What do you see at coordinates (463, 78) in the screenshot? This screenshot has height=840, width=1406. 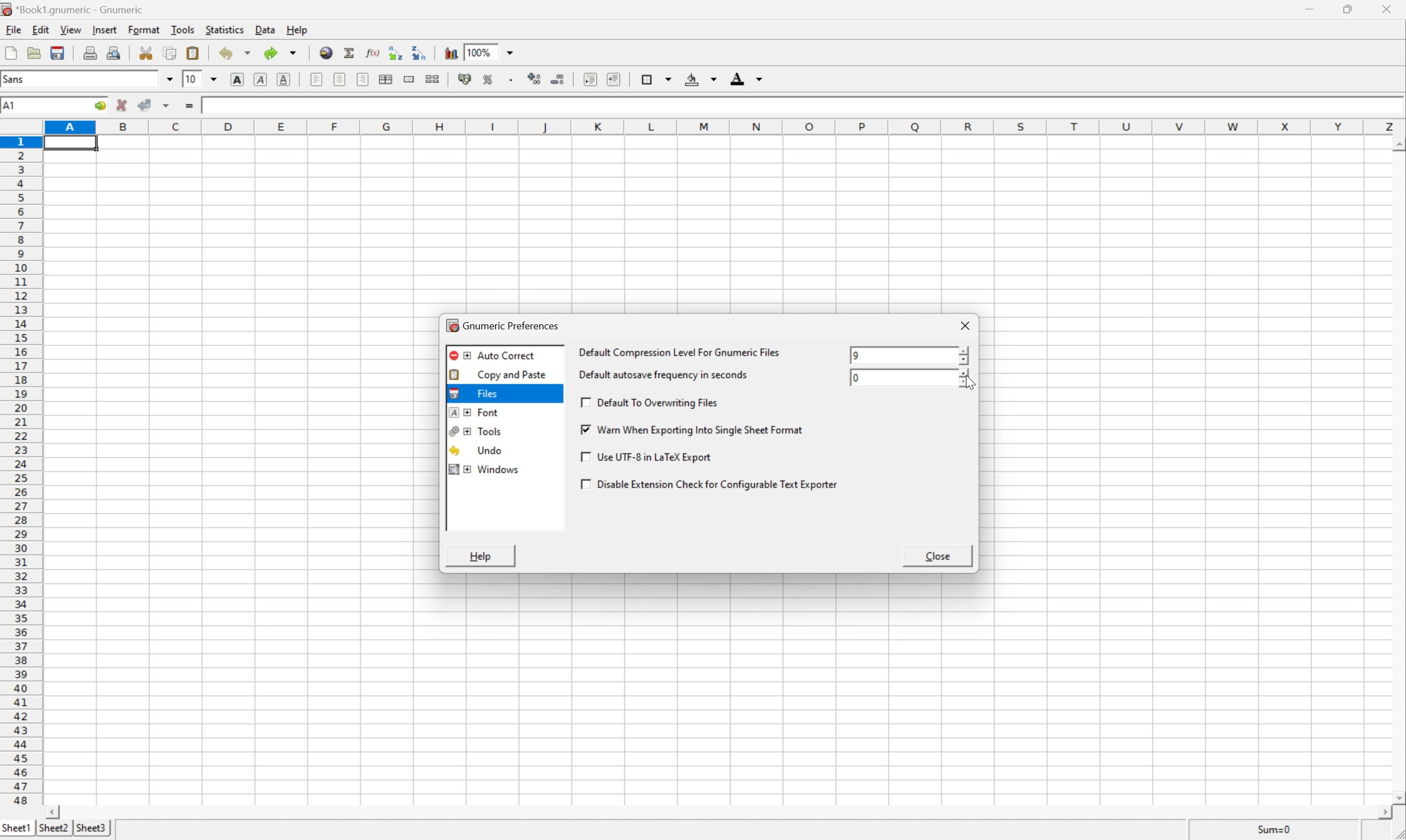 I see `format selection as accounting` at bounding box center [463, 78].